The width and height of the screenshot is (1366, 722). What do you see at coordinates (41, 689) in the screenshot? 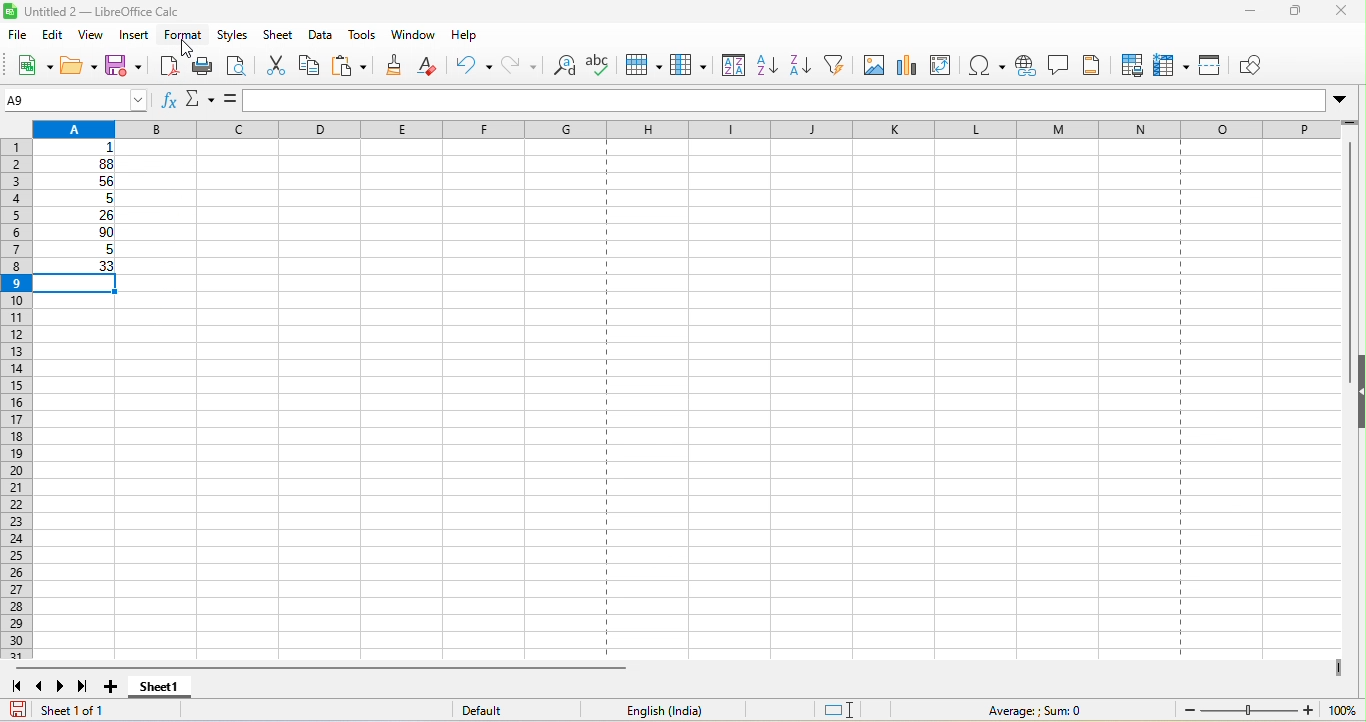
I see `scroll to previous sheet` at bounding box center [41, 689].